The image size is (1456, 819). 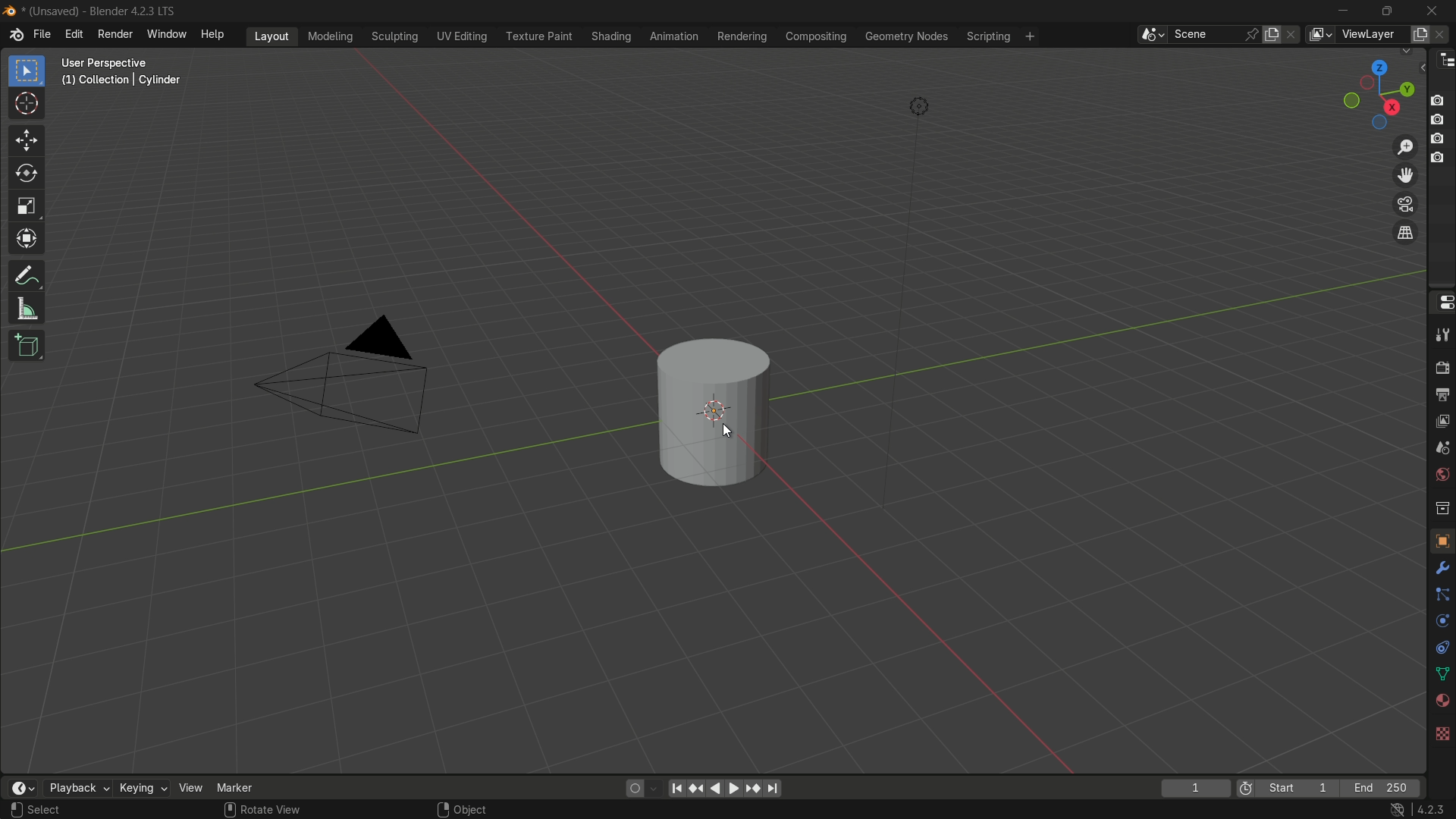 What do you see at coordinates (27, 310) in the screenshot?
I see `measure` at bounding box center [27, 310].